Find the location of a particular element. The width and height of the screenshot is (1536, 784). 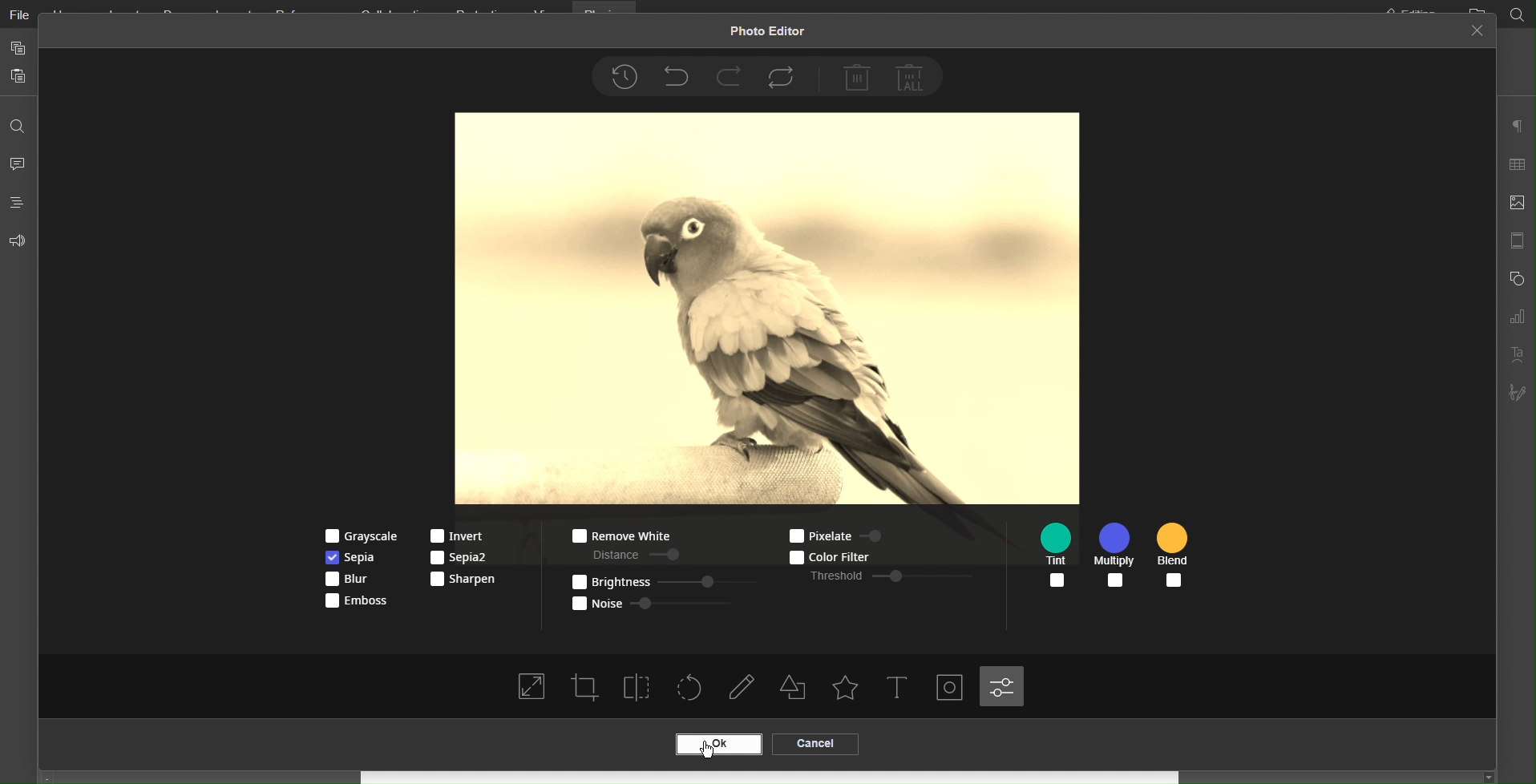

Grayscale is located at coordinates (357, 535).